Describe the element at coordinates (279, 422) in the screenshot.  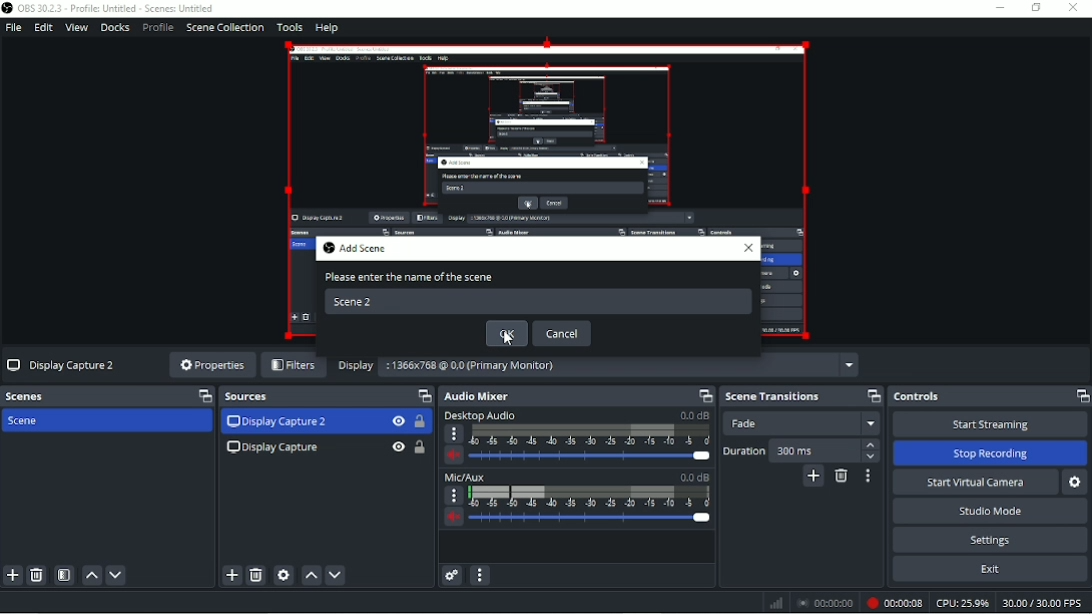
I see `Display Capture 2` at that location.